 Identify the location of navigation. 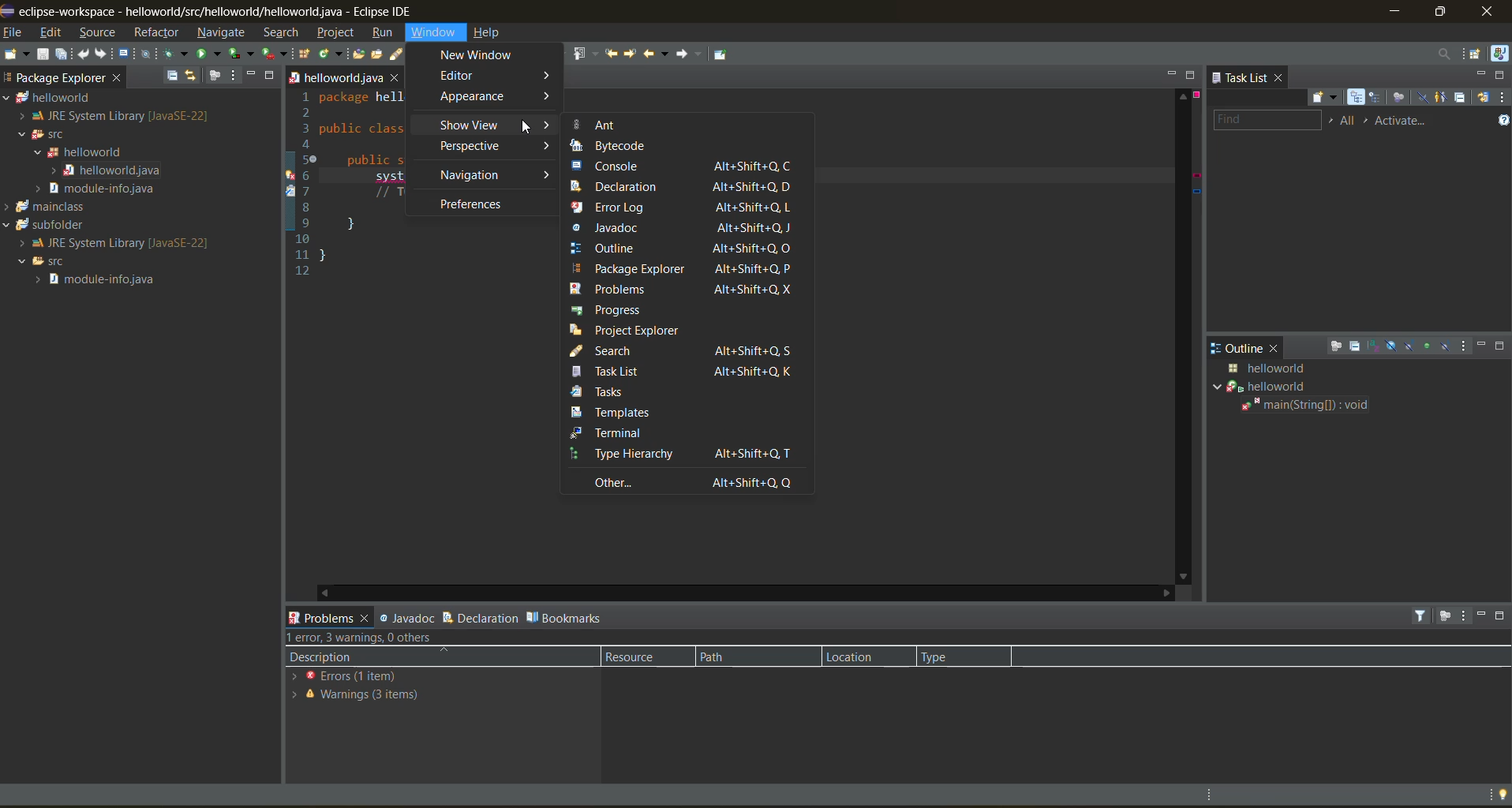
(494, 176).